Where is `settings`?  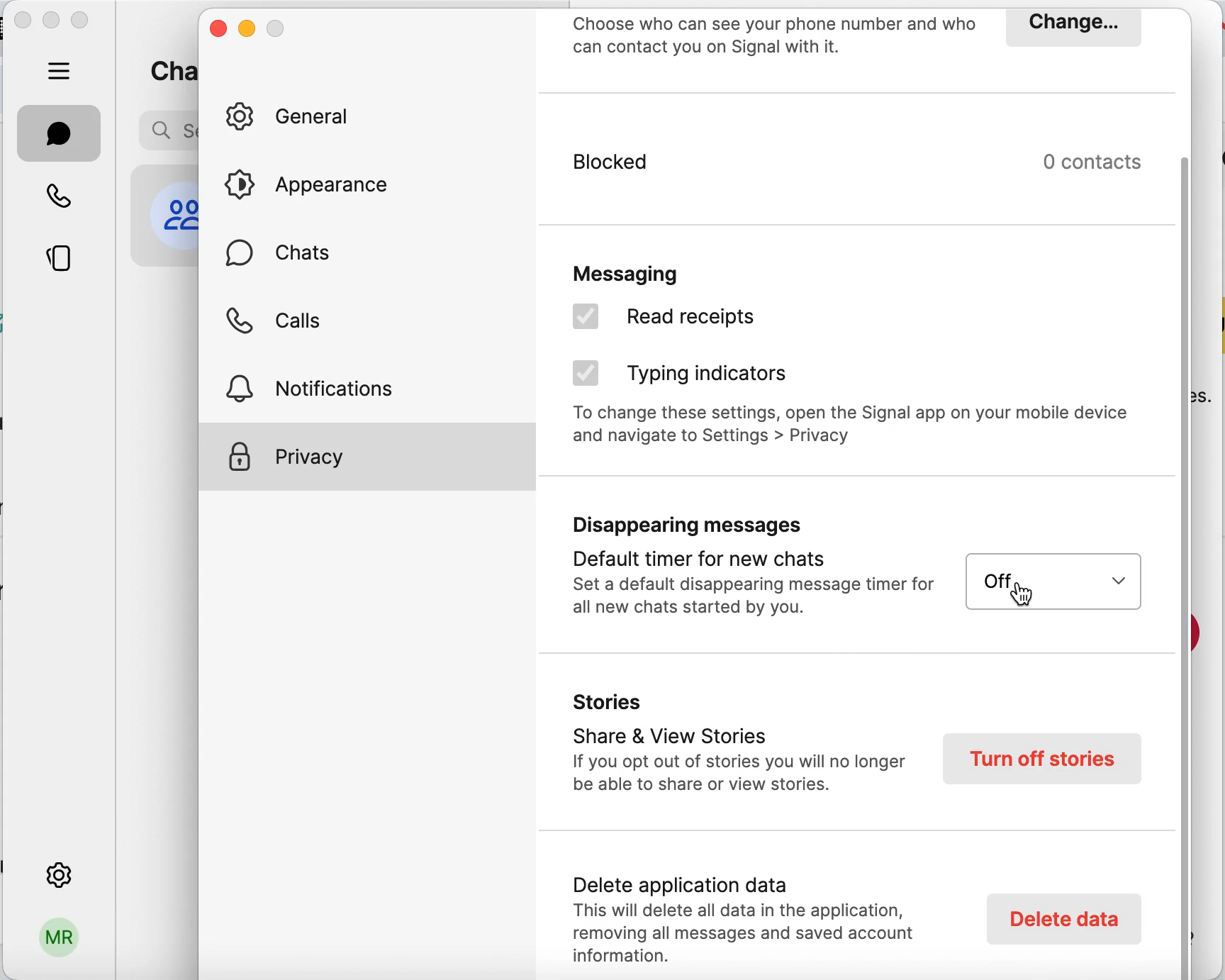 settings is located at coordinates (57, 872).